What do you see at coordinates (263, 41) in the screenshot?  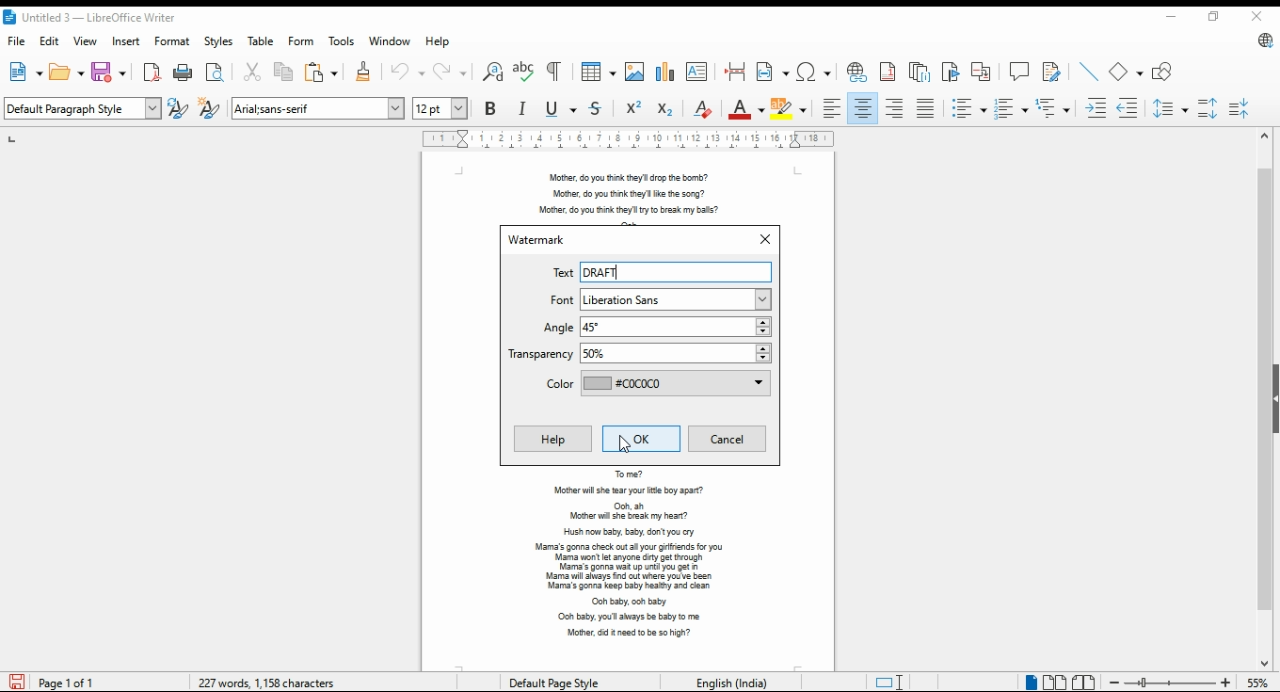 I see `table` at bounding box center [263, 41].